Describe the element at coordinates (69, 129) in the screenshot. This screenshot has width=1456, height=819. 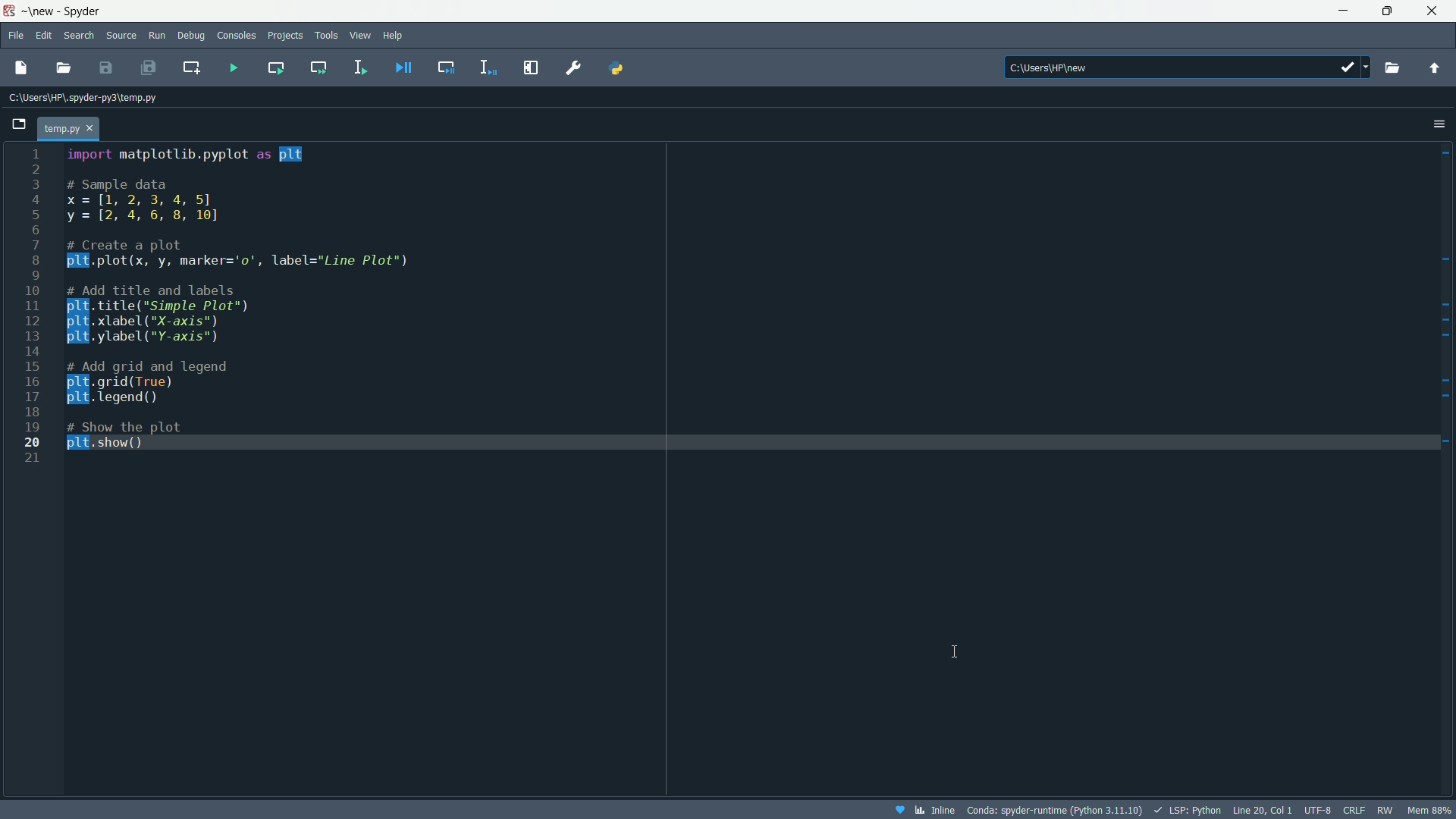
I see `file tab` at that location.